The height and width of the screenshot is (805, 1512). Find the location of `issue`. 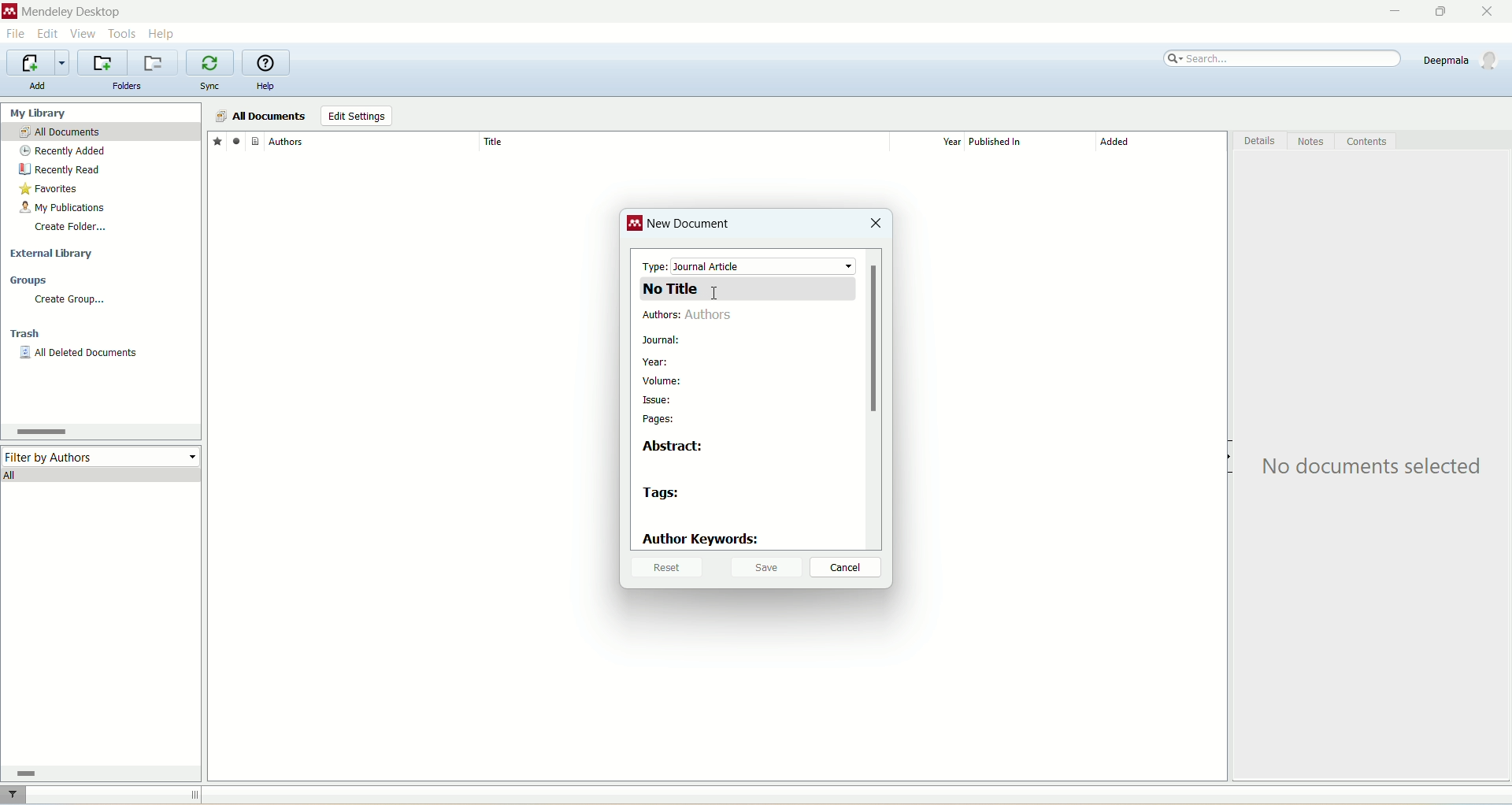

issue is located at coordinates (658, 402).